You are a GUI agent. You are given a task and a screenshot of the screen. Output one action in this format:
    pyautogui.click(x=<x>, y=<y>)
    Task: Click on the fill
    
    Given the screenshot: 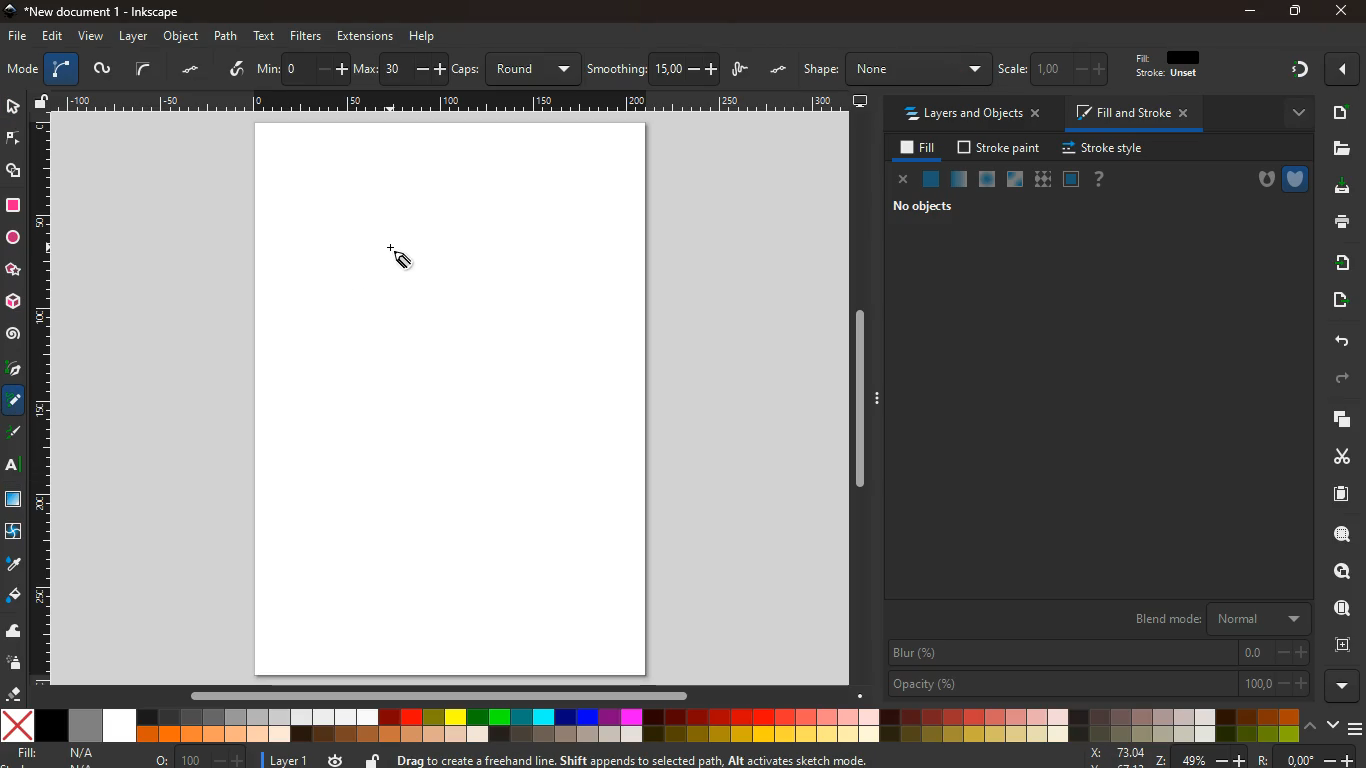 What is the action you would take?
    pyautogui.click(x=1177, y=65)
    